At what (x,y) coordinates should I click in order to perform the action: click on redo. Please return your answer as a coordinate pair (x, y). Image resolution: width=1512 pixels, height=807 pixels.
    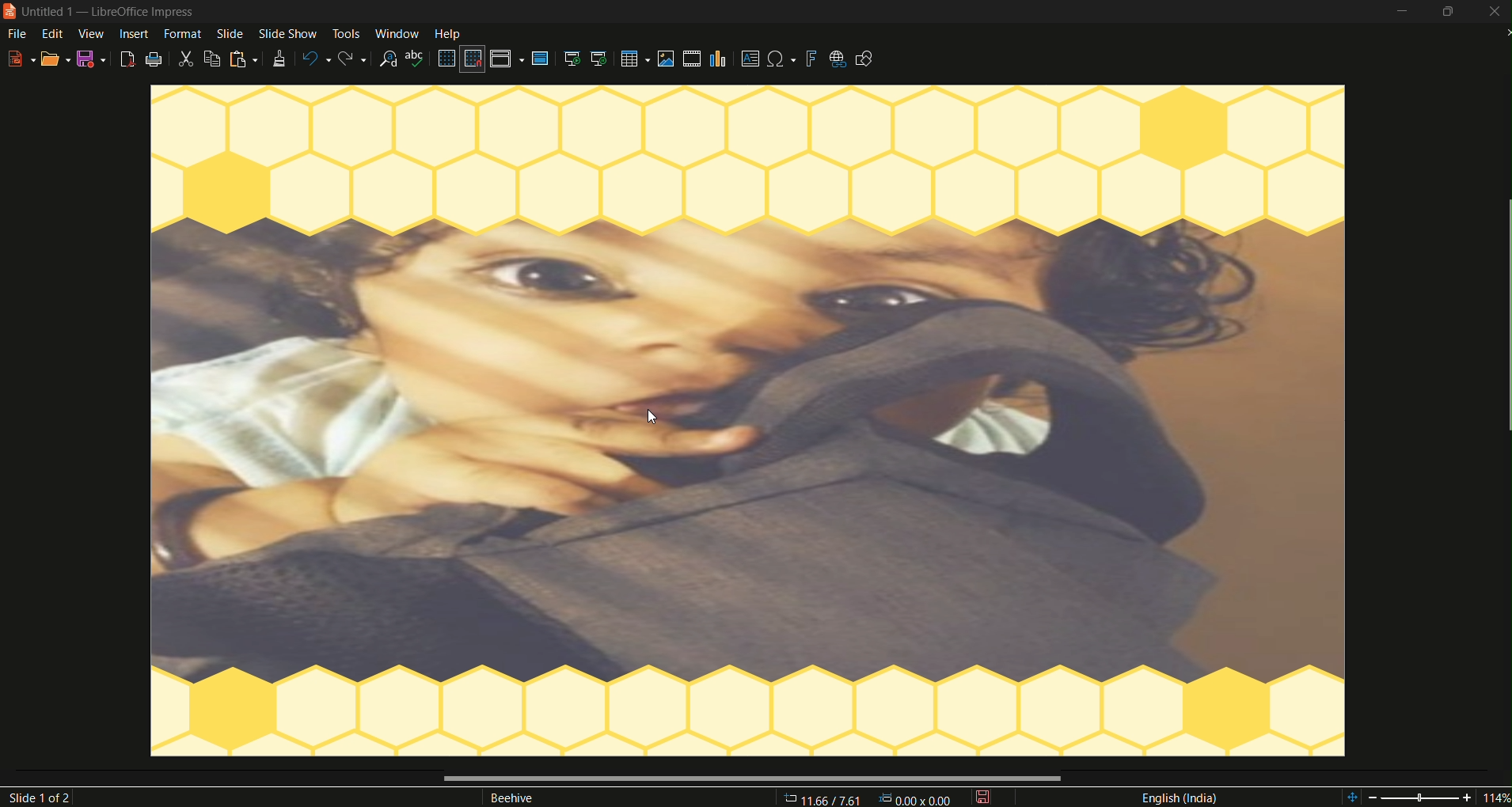
    Looking at the image, I should click on (353, 59).